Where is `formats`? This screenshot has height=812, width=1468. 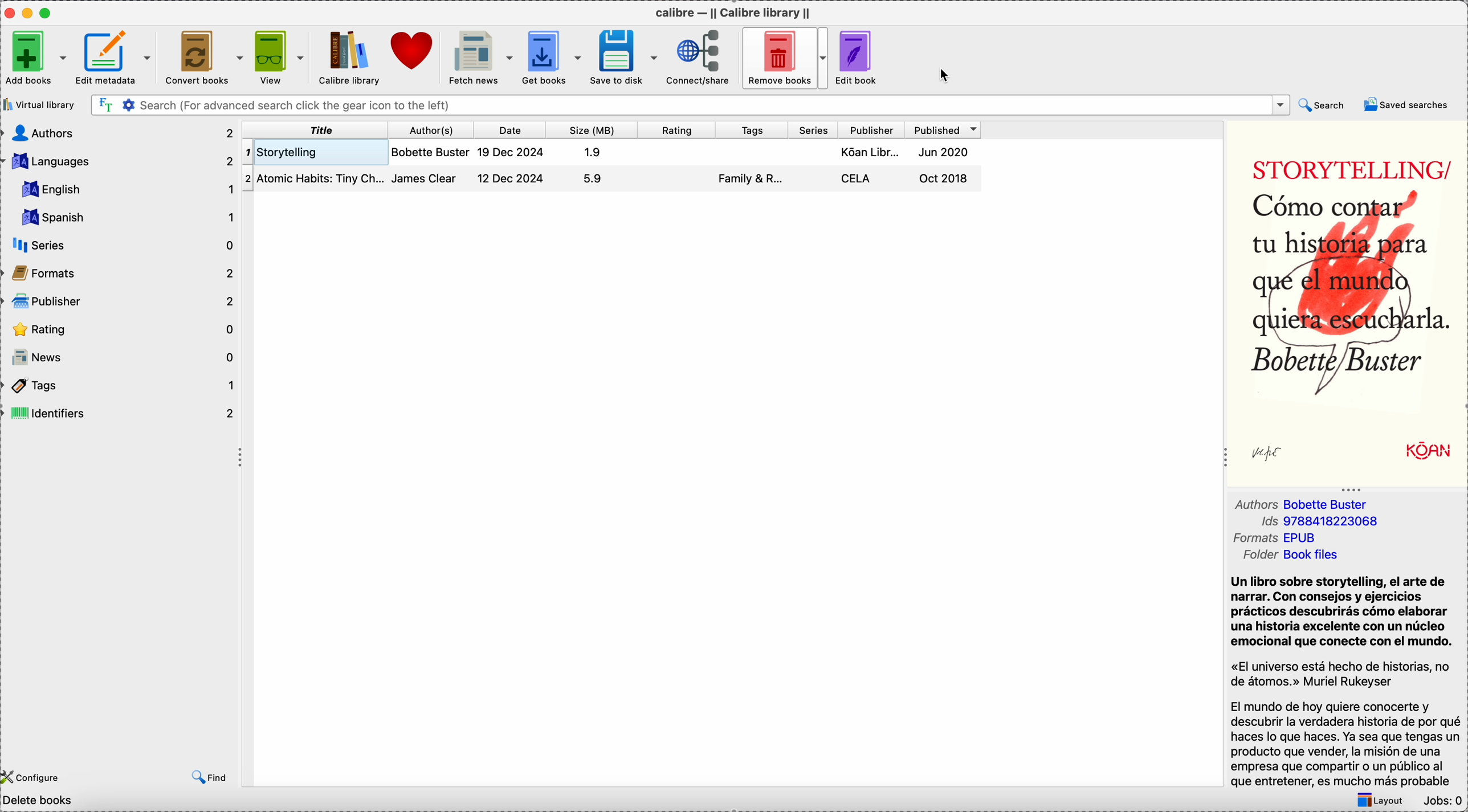
formats is located at coordinates (120, 271).